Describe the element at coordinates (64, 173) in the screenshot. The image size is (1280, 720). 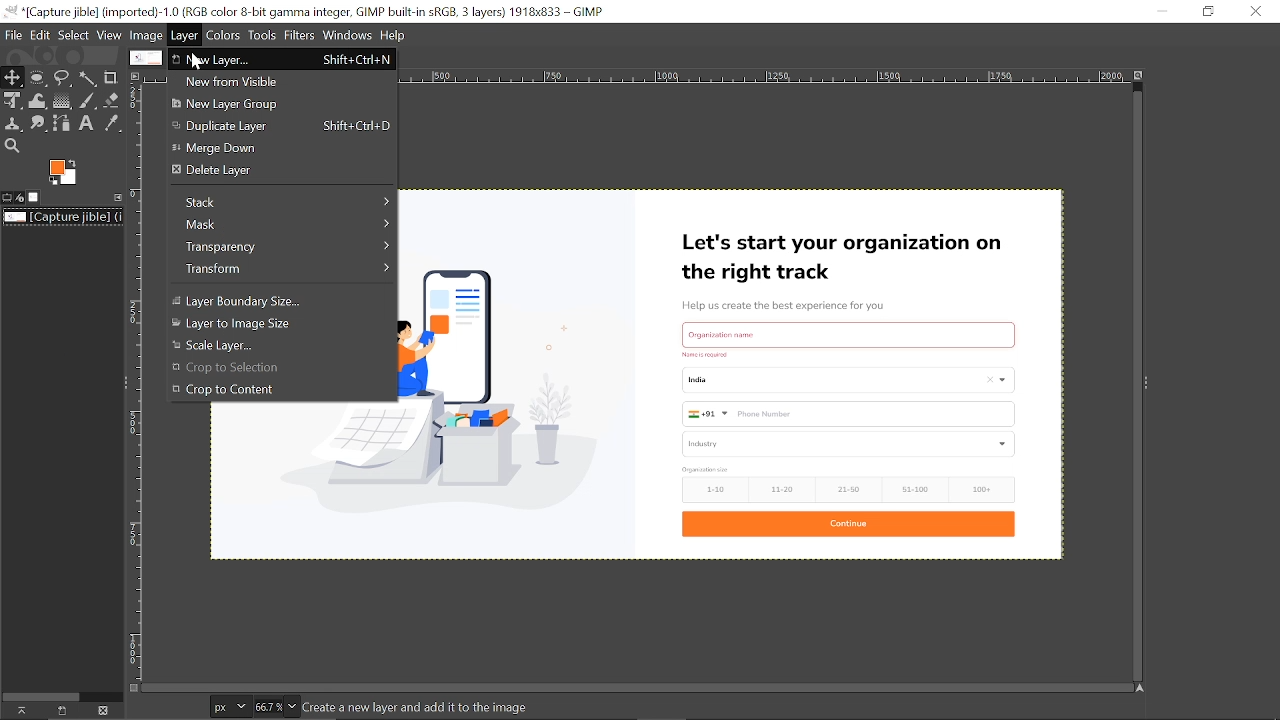
I see `Foreground color` at that location.